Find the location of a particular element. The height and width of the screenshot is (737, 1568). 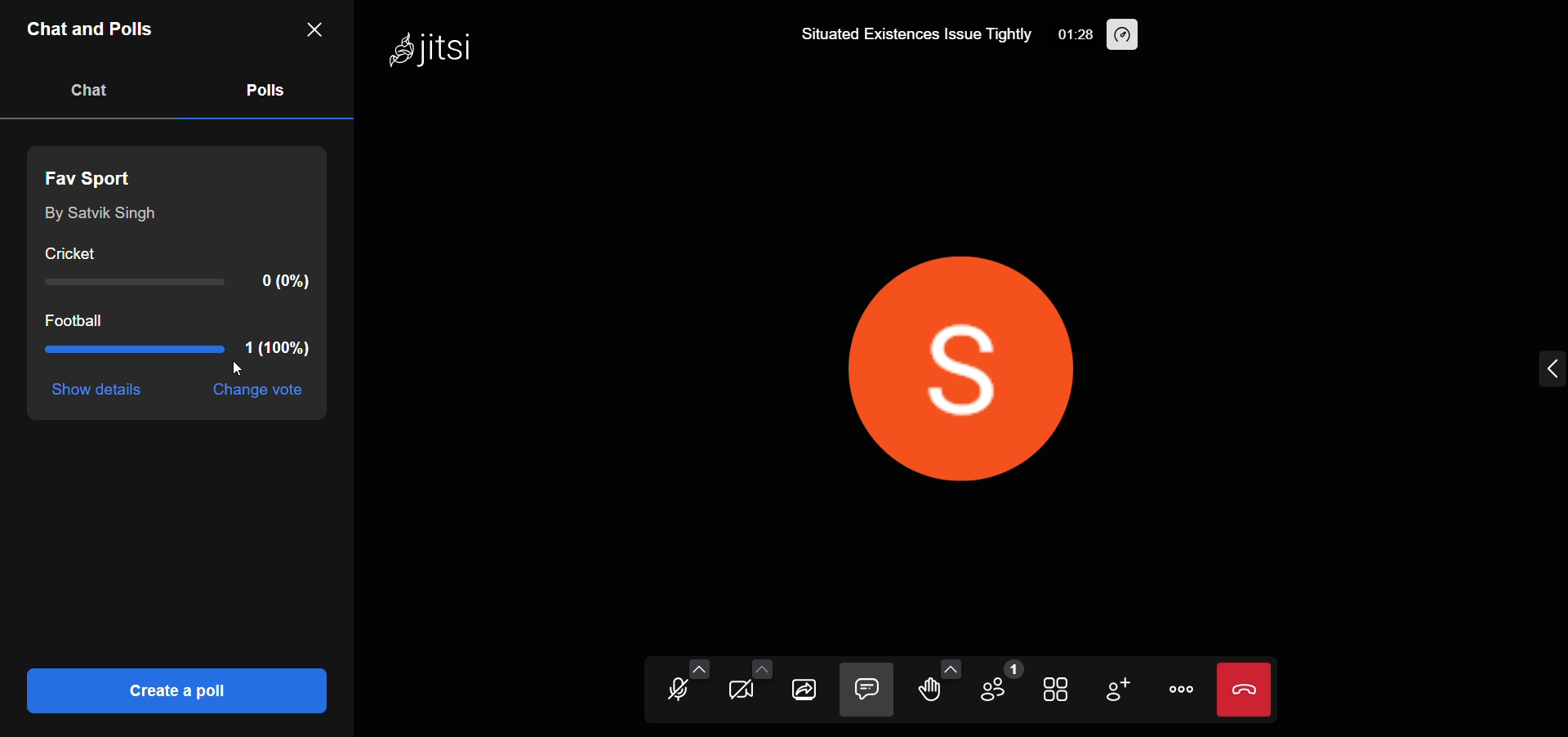

display picture is located at coordinates (1016, 361).